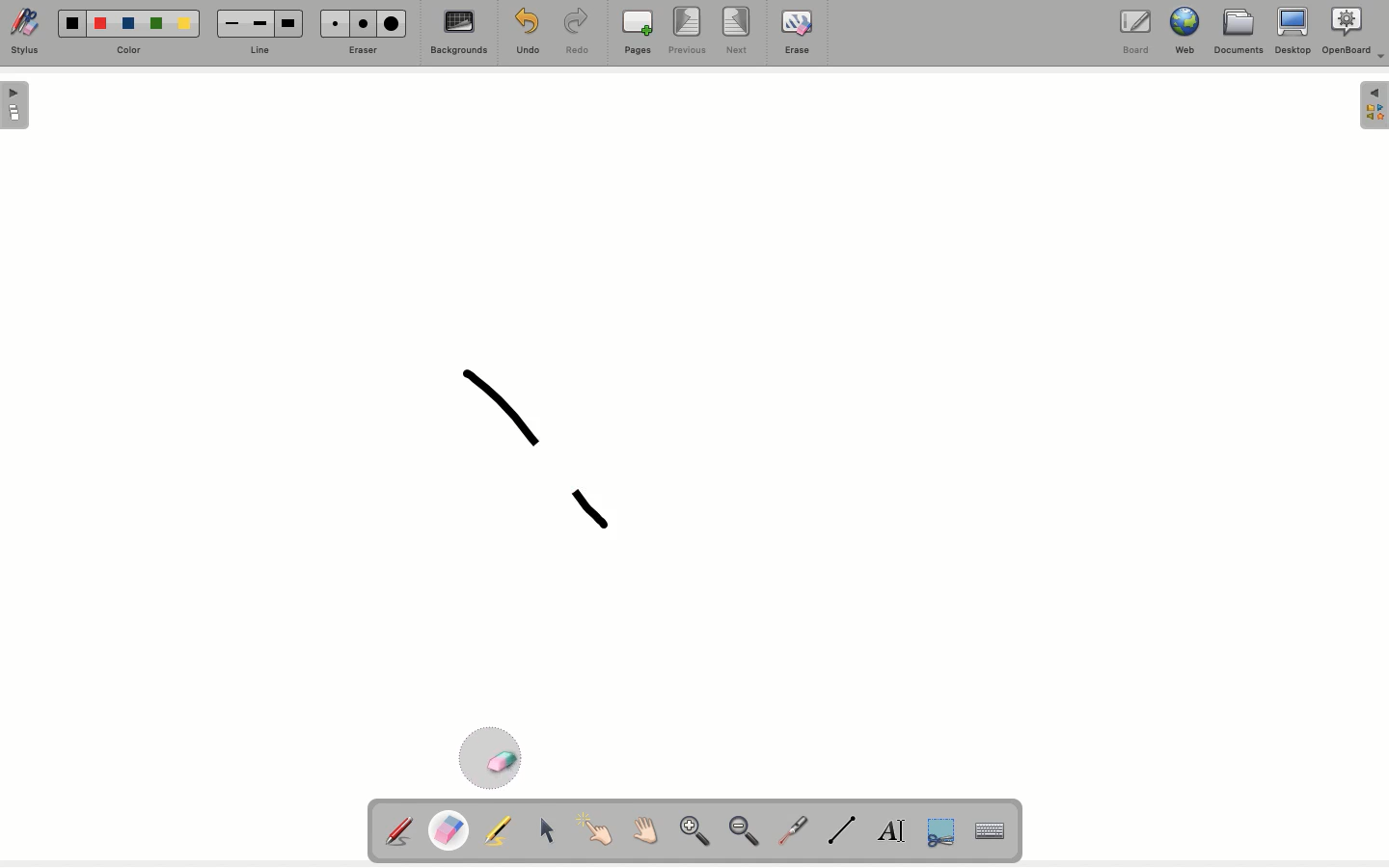 Image resolution: width=1389 pixels, height=868 pixels. Describe the element at coordinates (526, 31) in the screenshot. I see `Undo` at that location.